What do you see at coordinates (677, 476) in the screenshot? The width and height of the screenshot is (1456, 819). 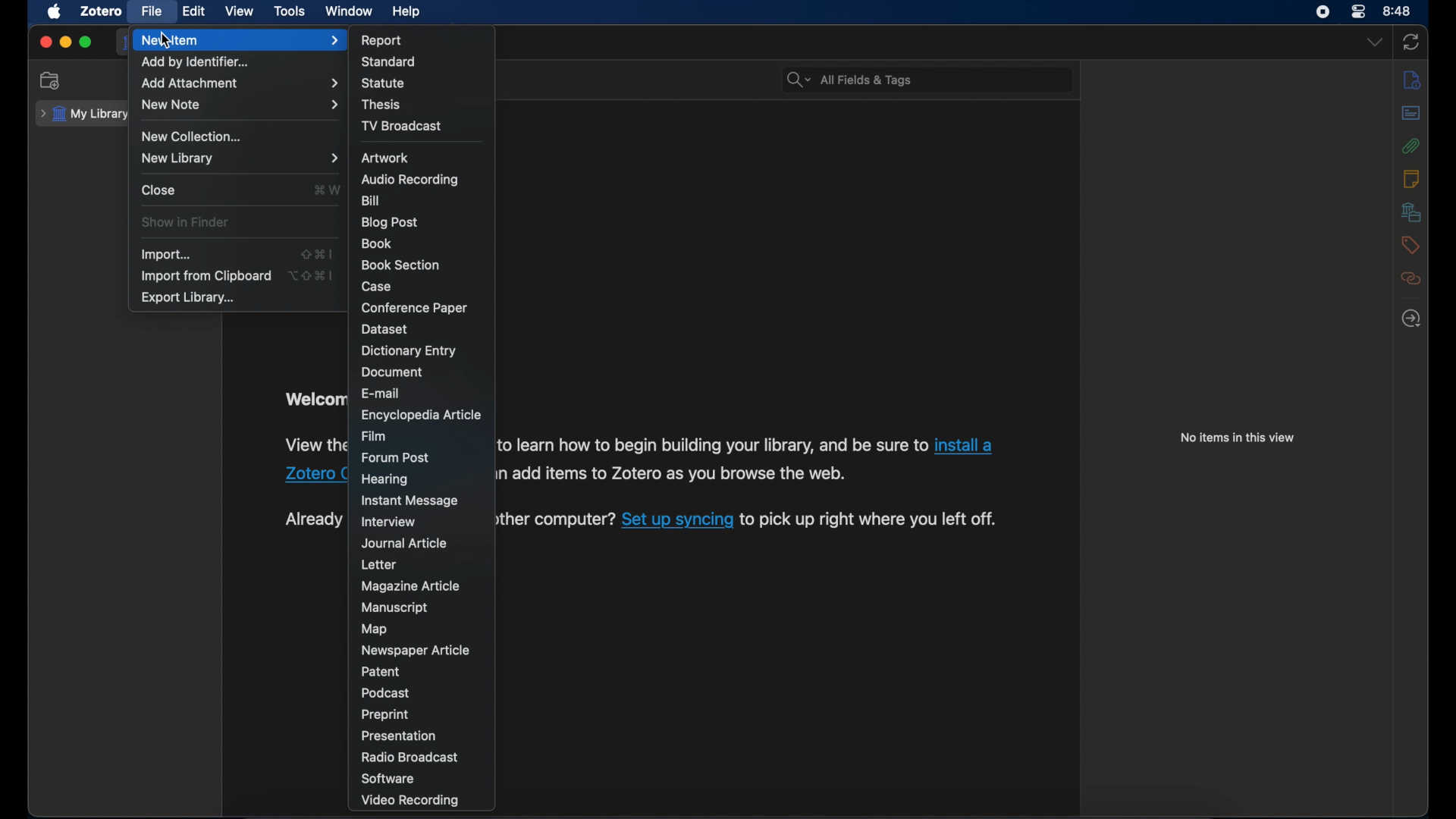 I see `software information` at bounding box center [677, 476].